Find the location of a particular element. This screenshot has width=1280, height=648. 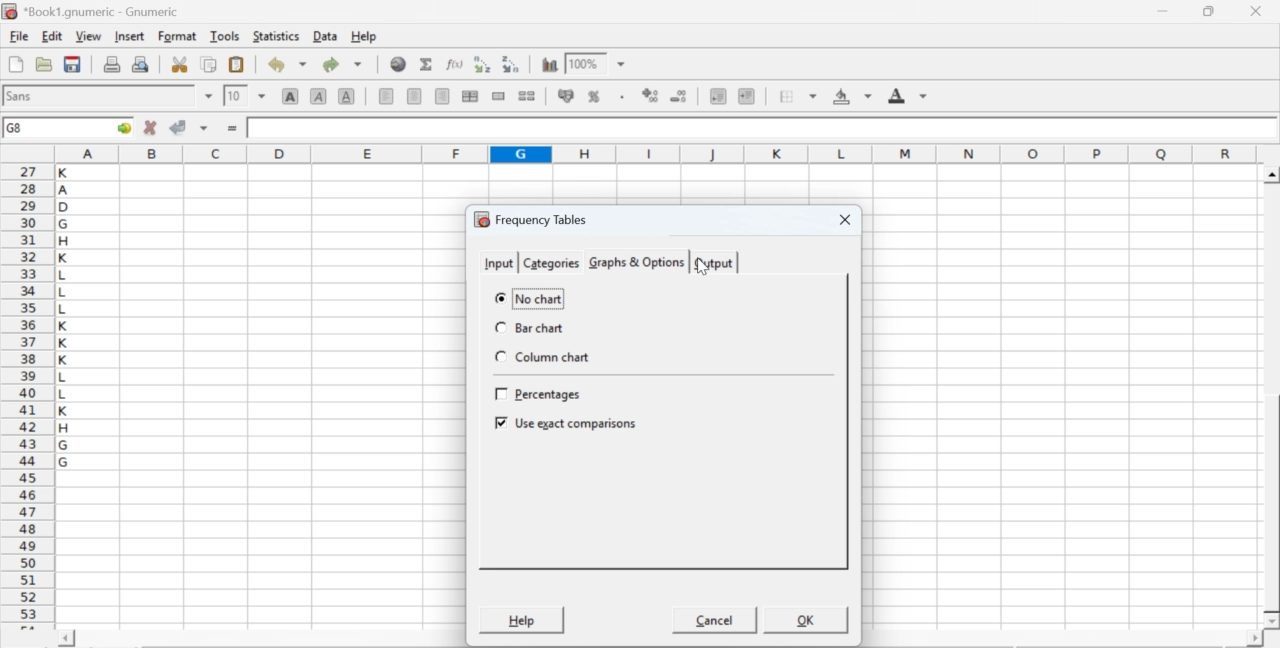

bar chart is located at coordinates (533, 328).